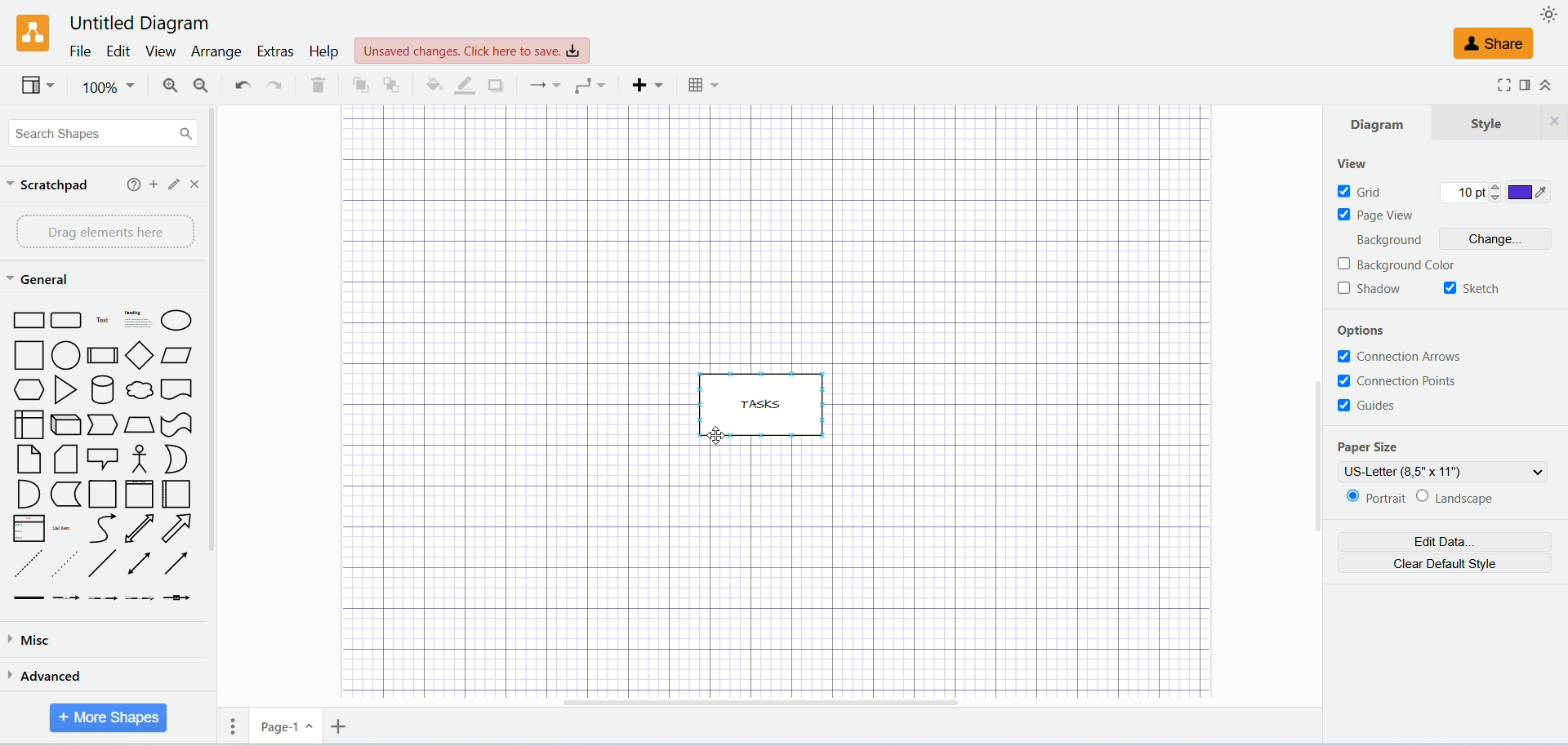  I want to click on Hexagon, so click(26, 389).